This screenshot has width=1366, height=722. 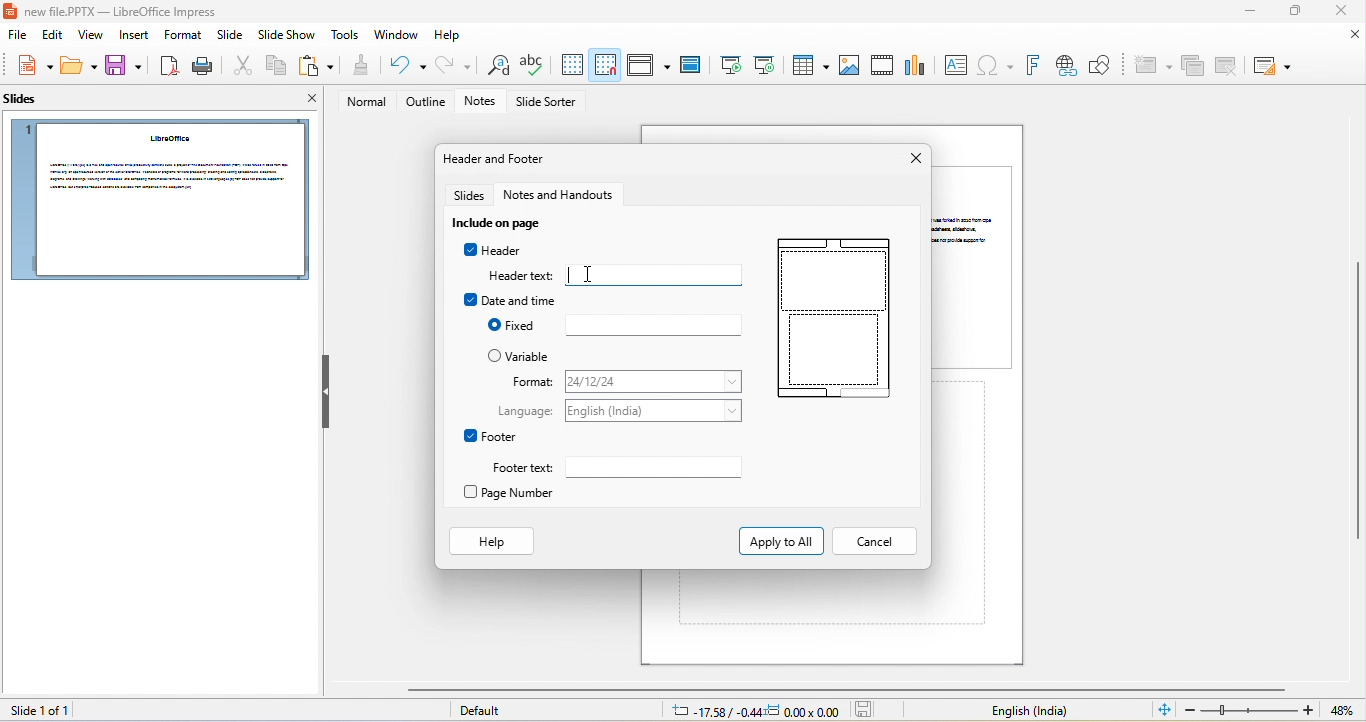 What do you see at coordinates (426, 102) in the screenshot?
I see `outline` at bounding box center [426, 102].